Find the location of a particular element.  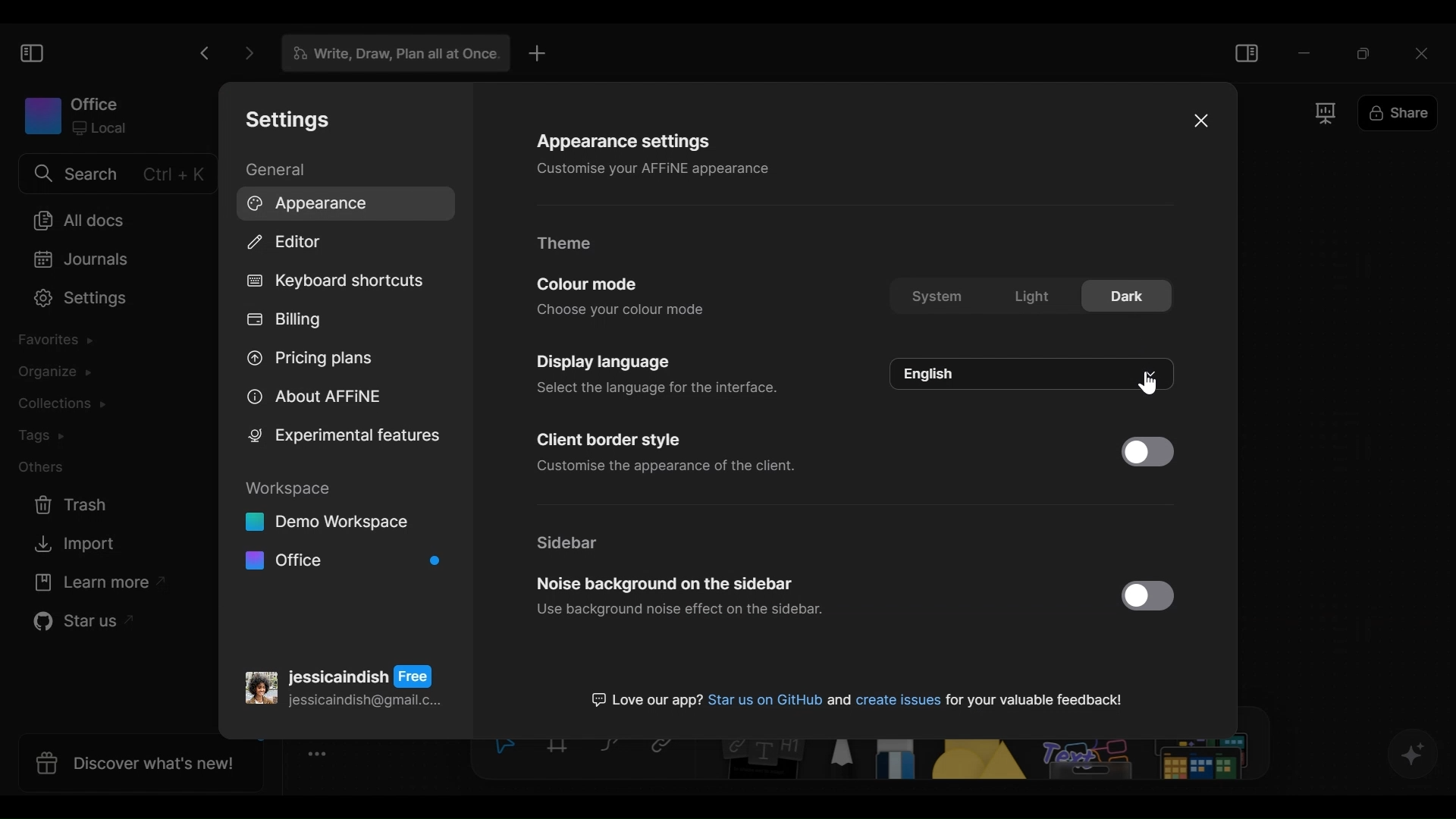

All documents is located at coordinates (78, 220).